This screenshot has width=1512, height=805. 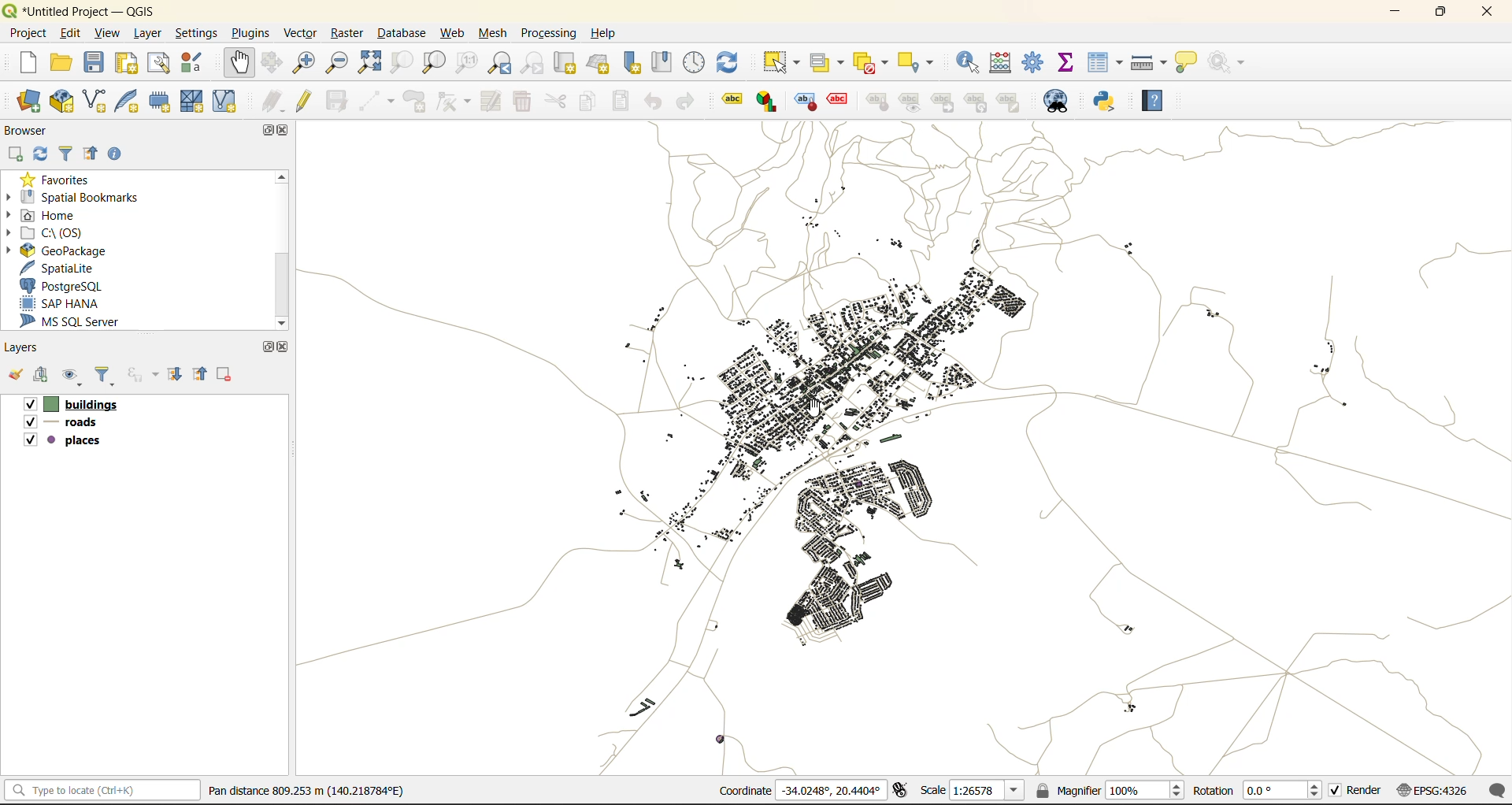 I want to click on scale, so click(x=972, y=792).